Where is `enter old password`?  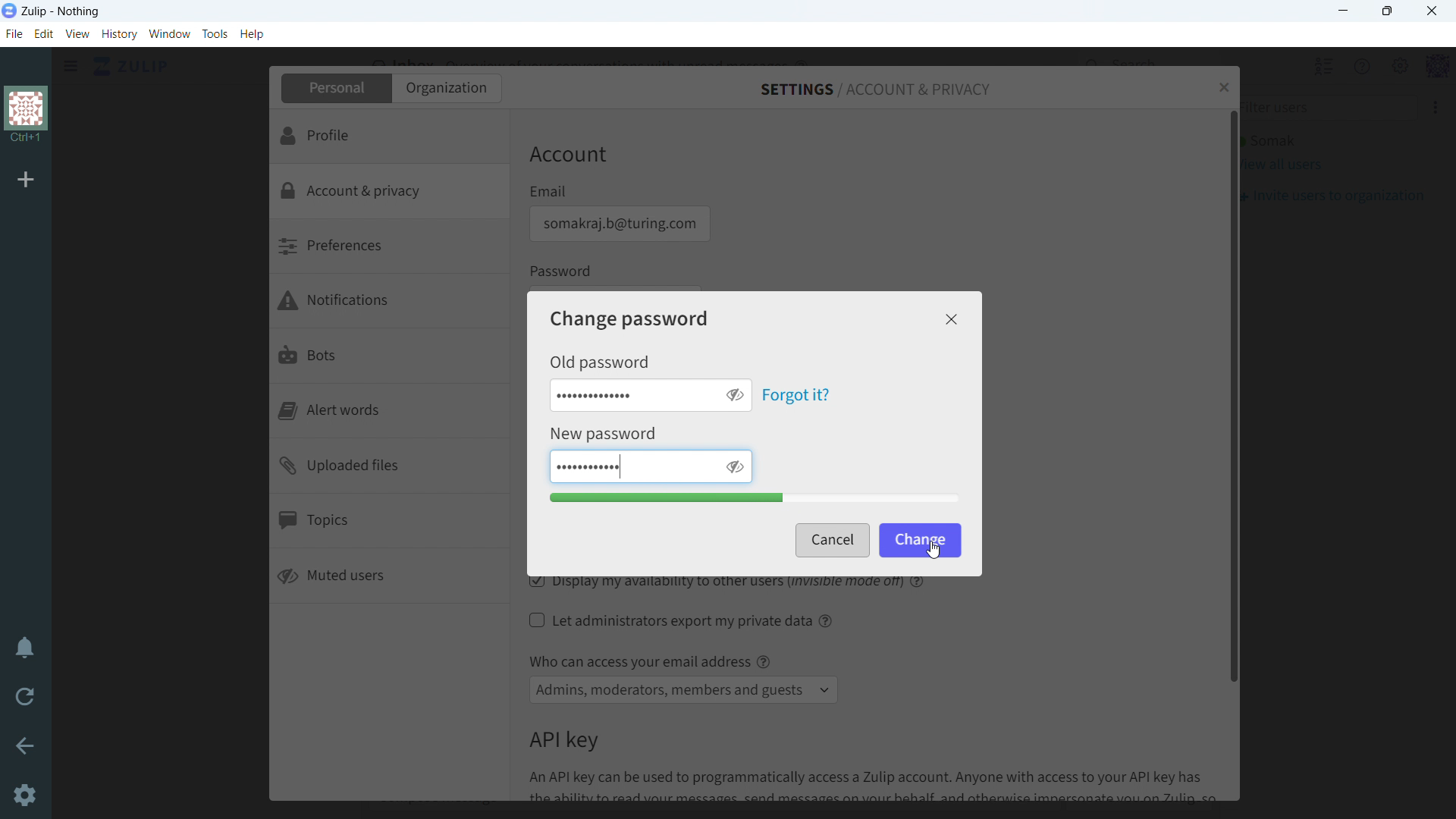
enter old password is located at coordinates (631, 394).